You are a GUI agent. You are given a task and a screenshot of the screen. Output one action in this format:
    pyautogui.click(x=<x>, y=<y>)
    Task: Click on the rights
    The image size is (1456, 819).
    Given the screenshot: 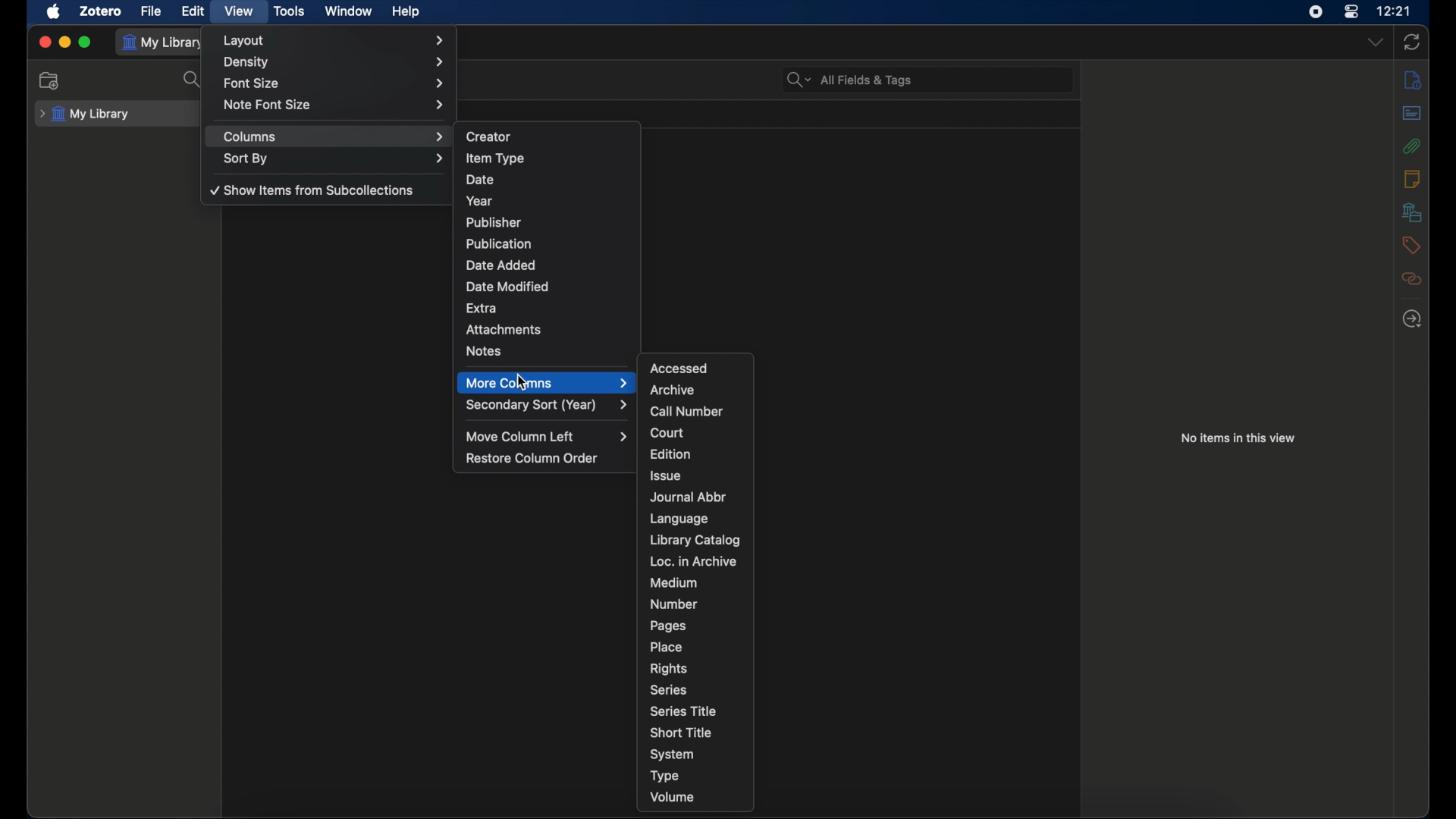 What is the action you would take?
    pyautogui.click(x=668, y=669)
    